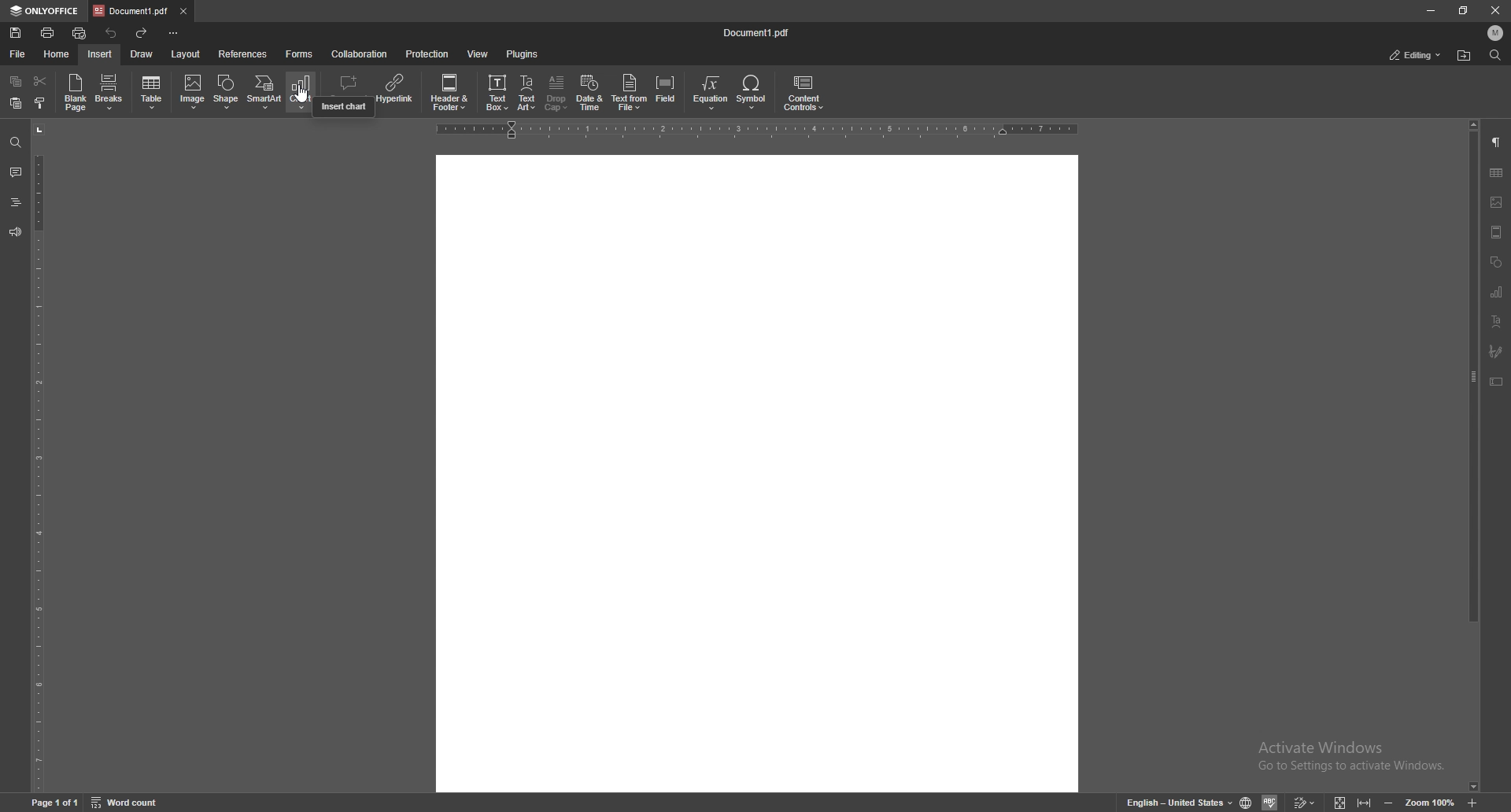  Describe the element at coordinates (16, 172) in the screenshot. I see `comment` at that location.